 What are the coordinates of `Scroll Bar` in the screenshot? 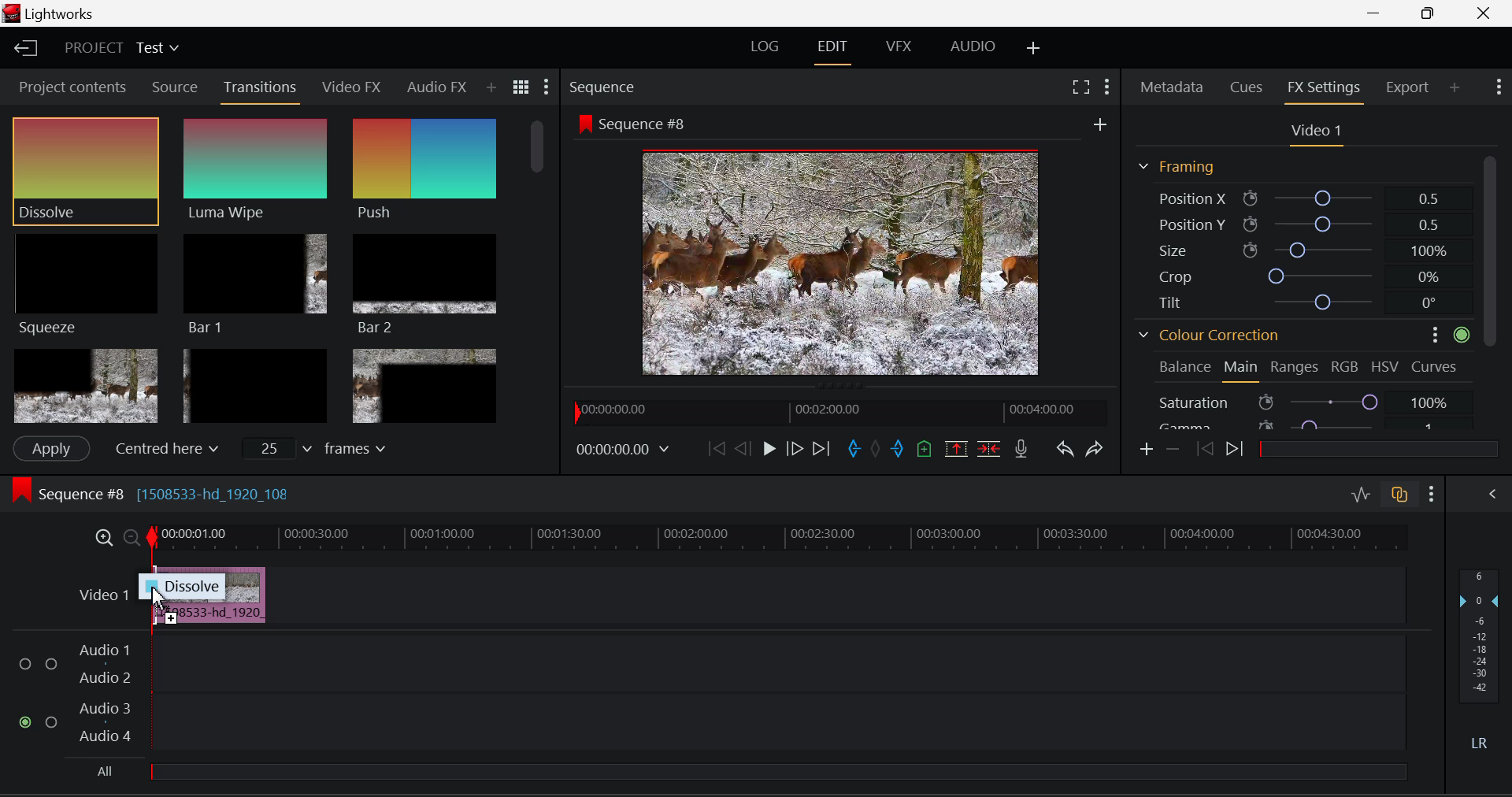 It's located at (1492, 290).